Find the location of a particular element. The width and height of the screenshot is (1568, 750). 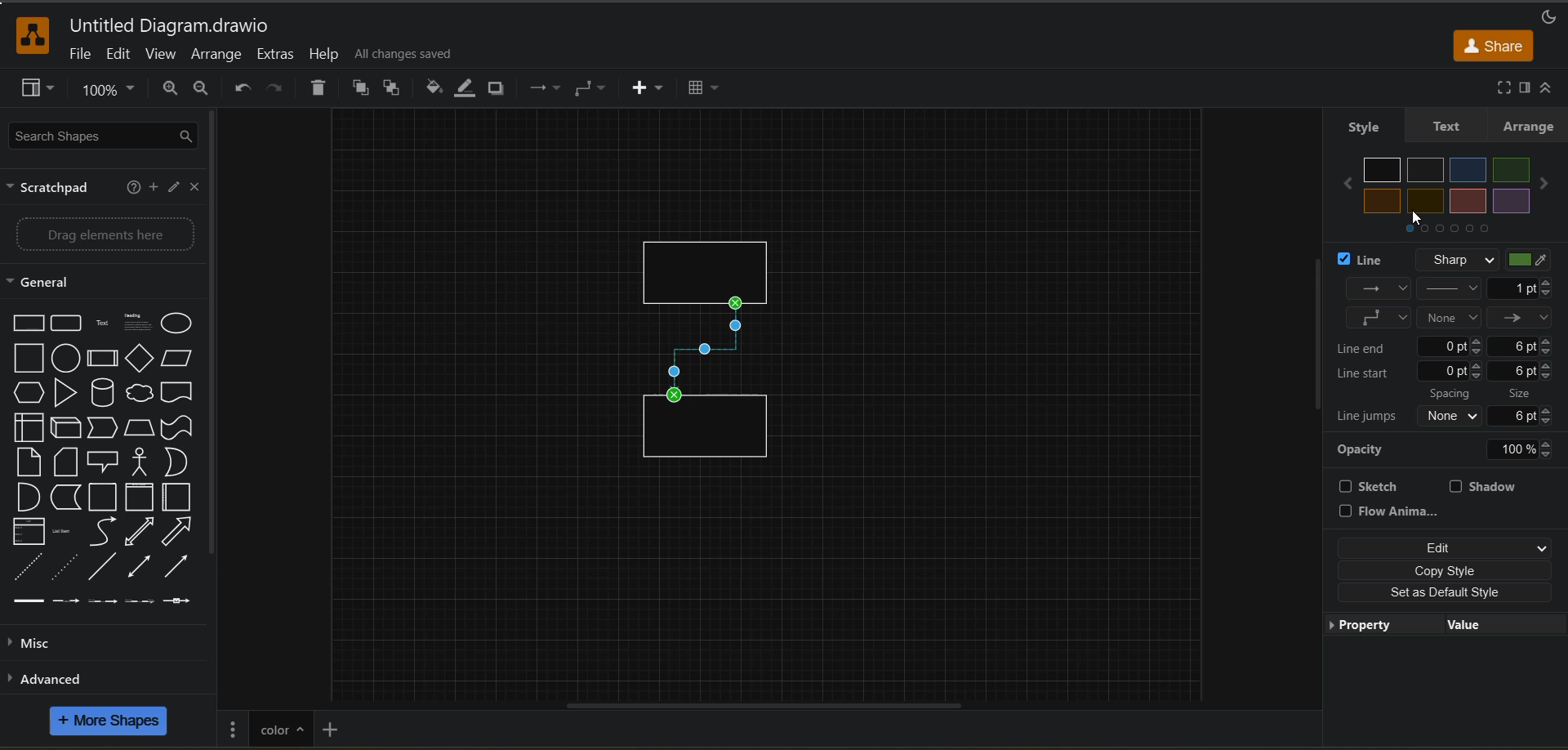

slide indicator is located at coordinates (1448, 232).